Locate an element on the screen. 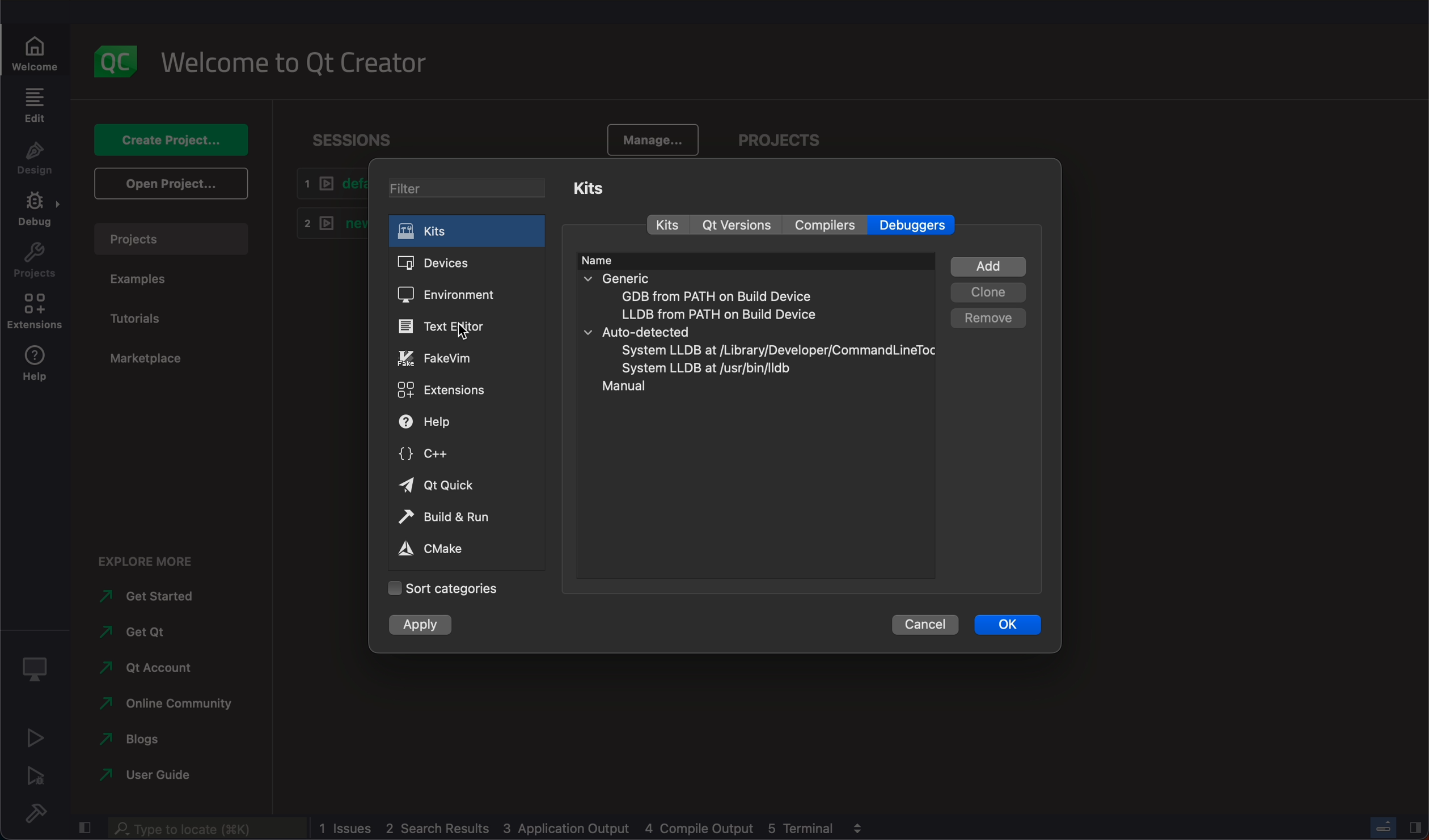 This screenshot has width=1429, height=840. clone is located at coordinates (989, 292).